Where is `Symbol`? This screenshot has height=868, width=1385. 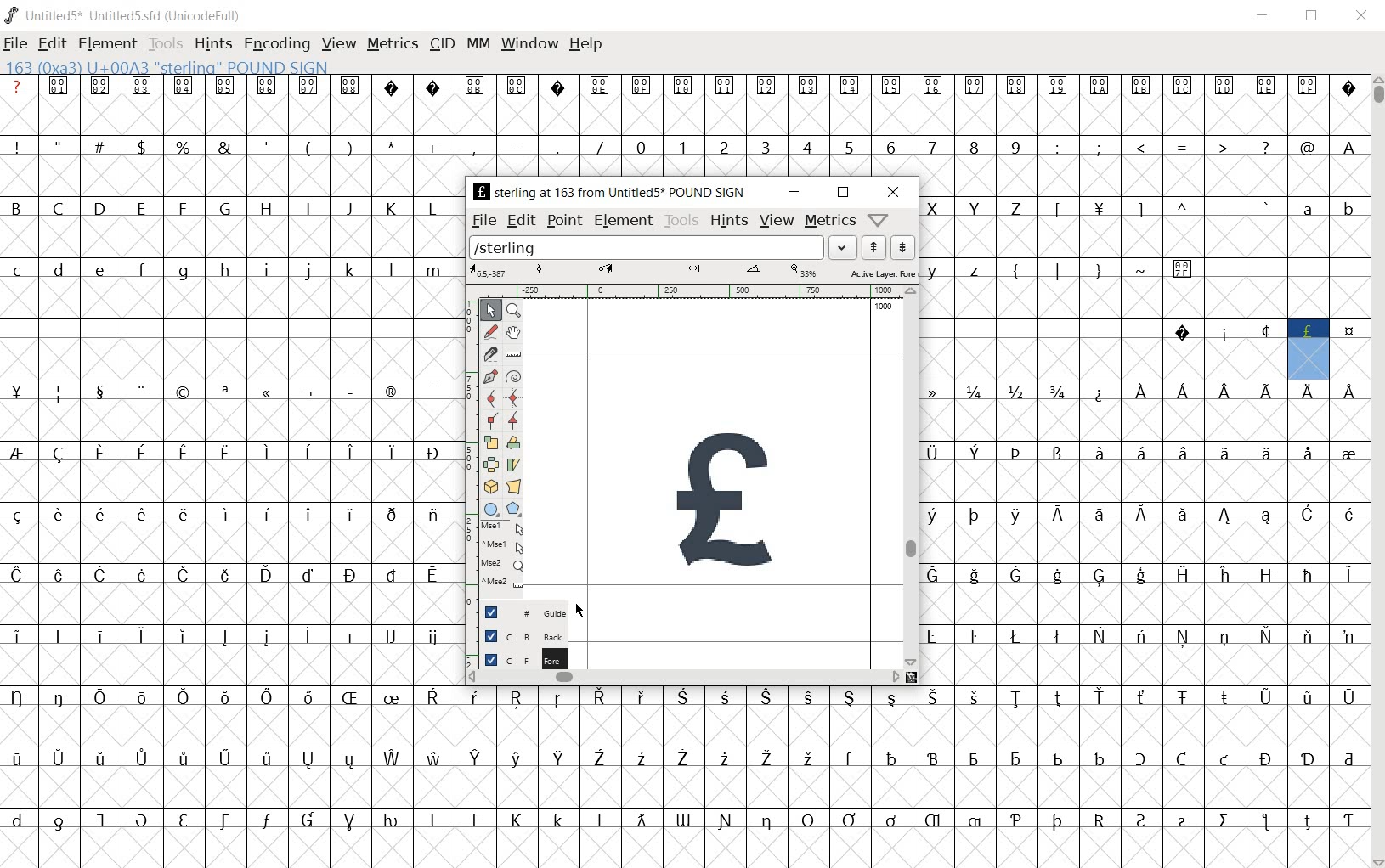
Symbol is located at coordinates (101, 454).